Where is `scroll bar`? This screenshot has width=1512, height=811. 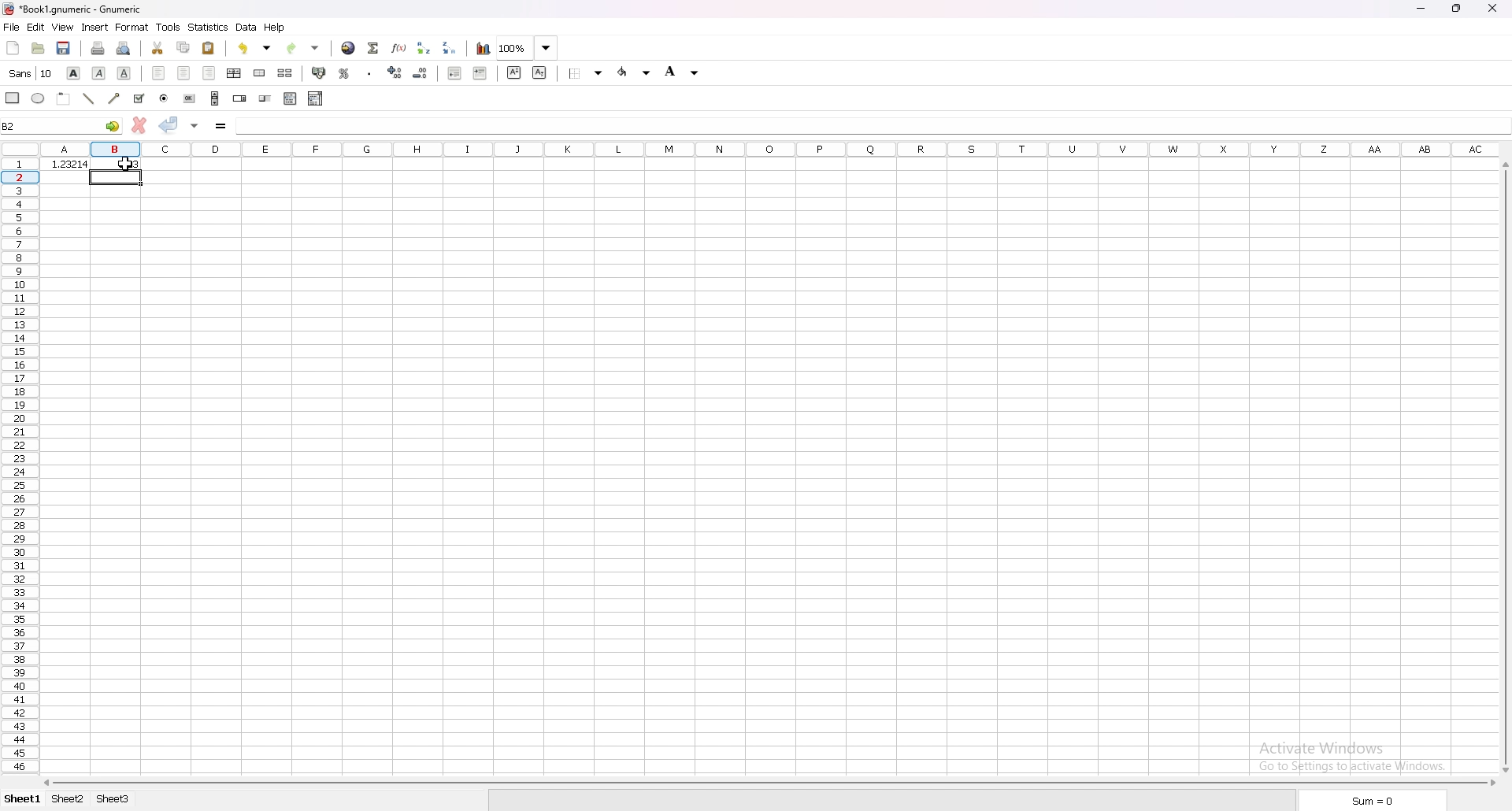 scroll bar is located at coordinates (216, 98).